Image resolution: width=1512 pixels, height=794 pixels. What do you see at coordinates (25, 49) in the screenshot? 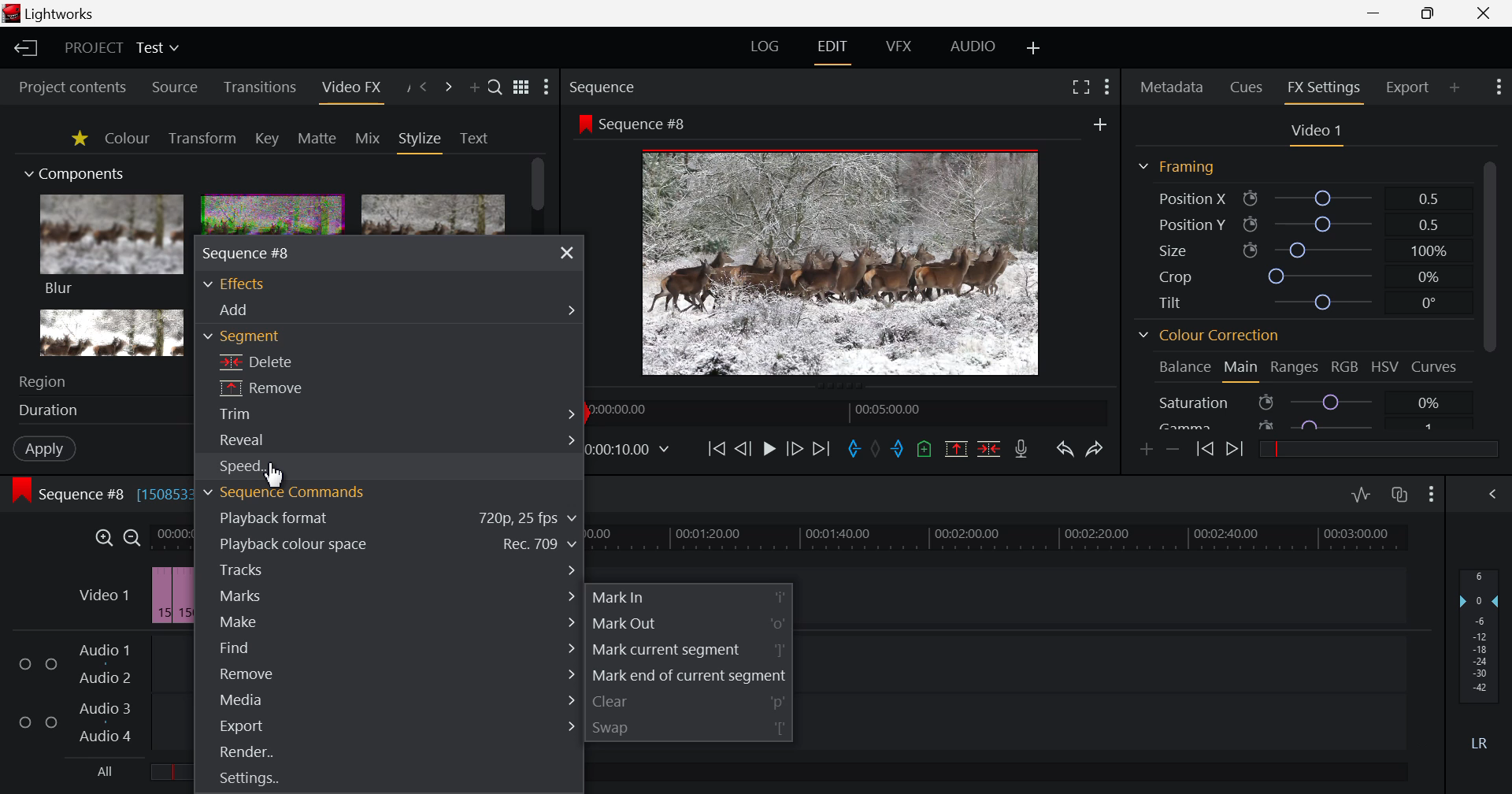
I see `Back to Homepage` at bounding box center [25, 49].